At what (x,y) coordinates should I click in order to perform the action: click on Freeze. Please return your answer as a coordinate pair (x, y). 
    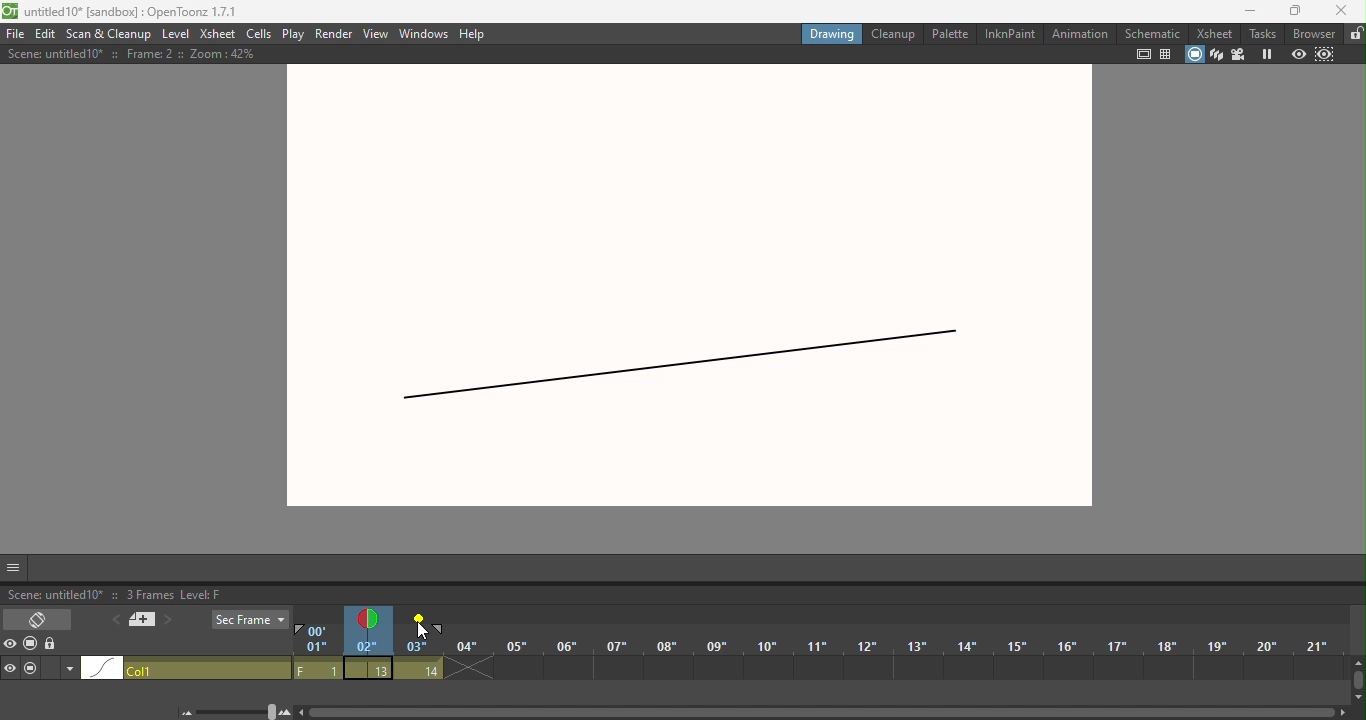
    Looking at the image, I should click on (1266, 55).